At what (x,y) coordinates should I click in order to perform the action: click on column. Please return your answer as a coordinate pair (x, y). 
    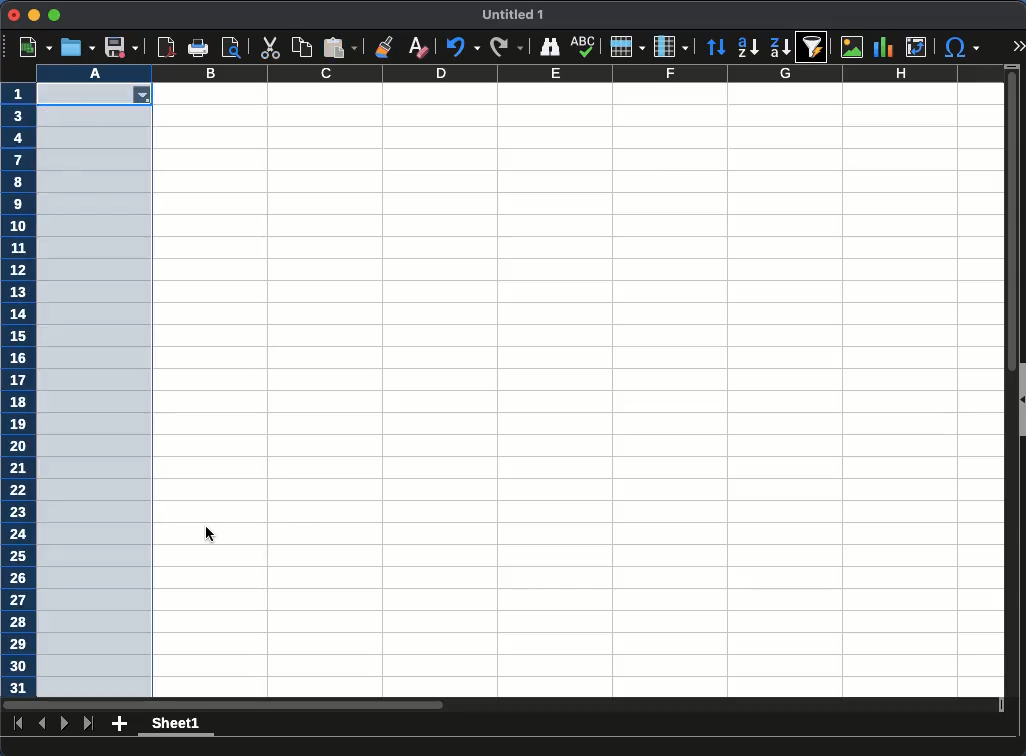
    Looking at the image, I should click on (519, 73).